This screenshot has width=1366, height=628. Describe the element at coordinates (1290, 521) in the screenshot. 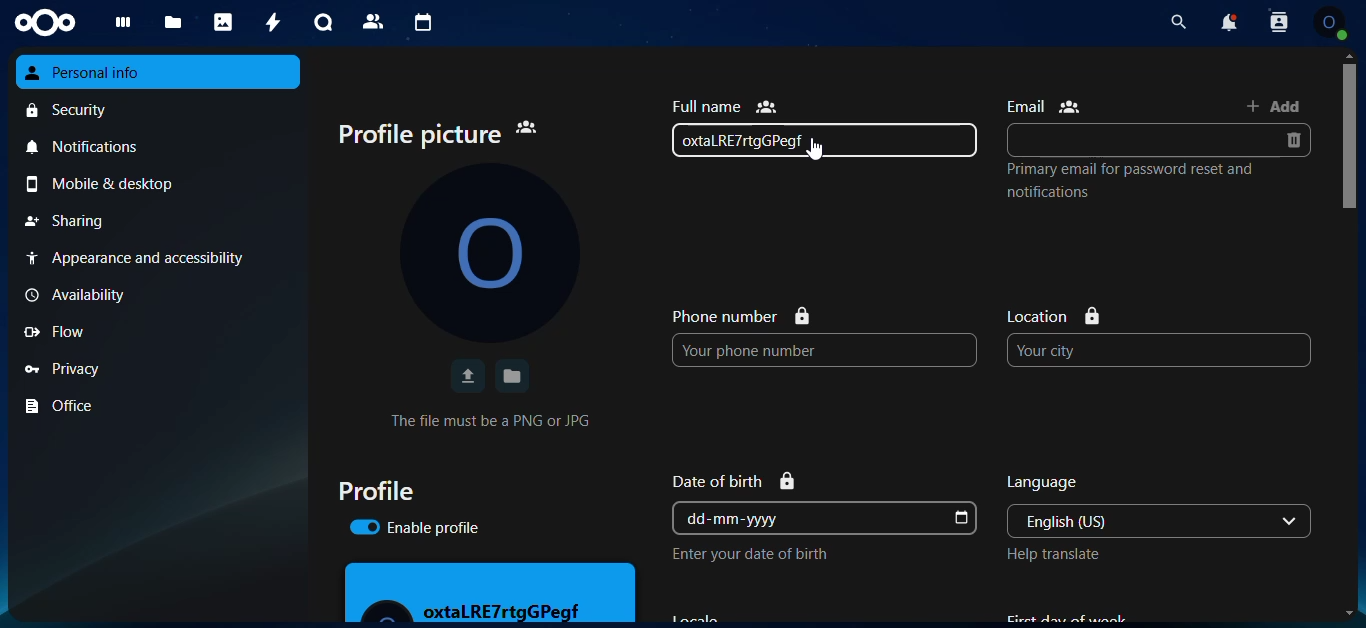

I see `drop down` at that location.